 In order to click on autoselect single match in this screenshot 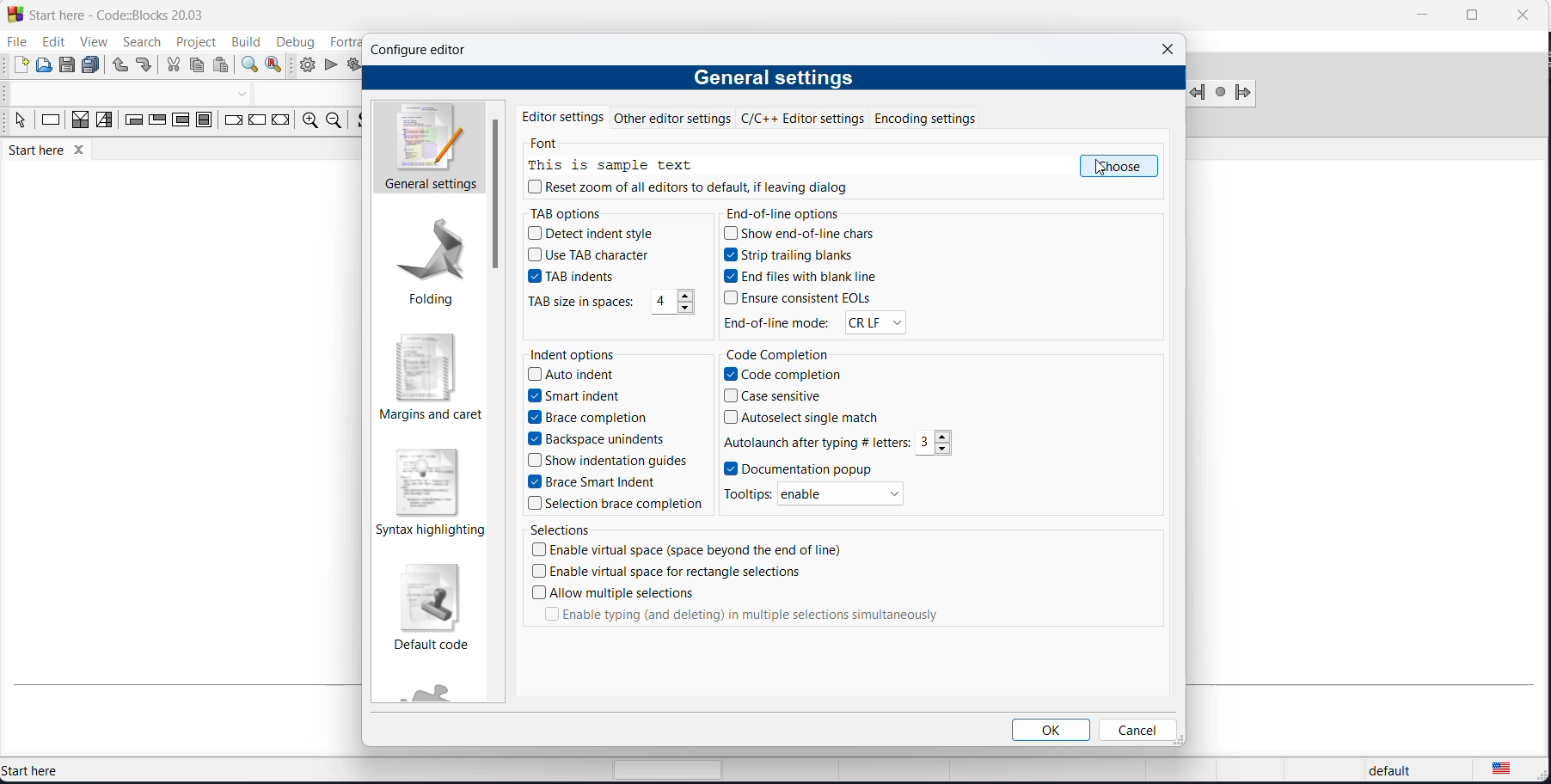, I will do `click(807, 418)`.